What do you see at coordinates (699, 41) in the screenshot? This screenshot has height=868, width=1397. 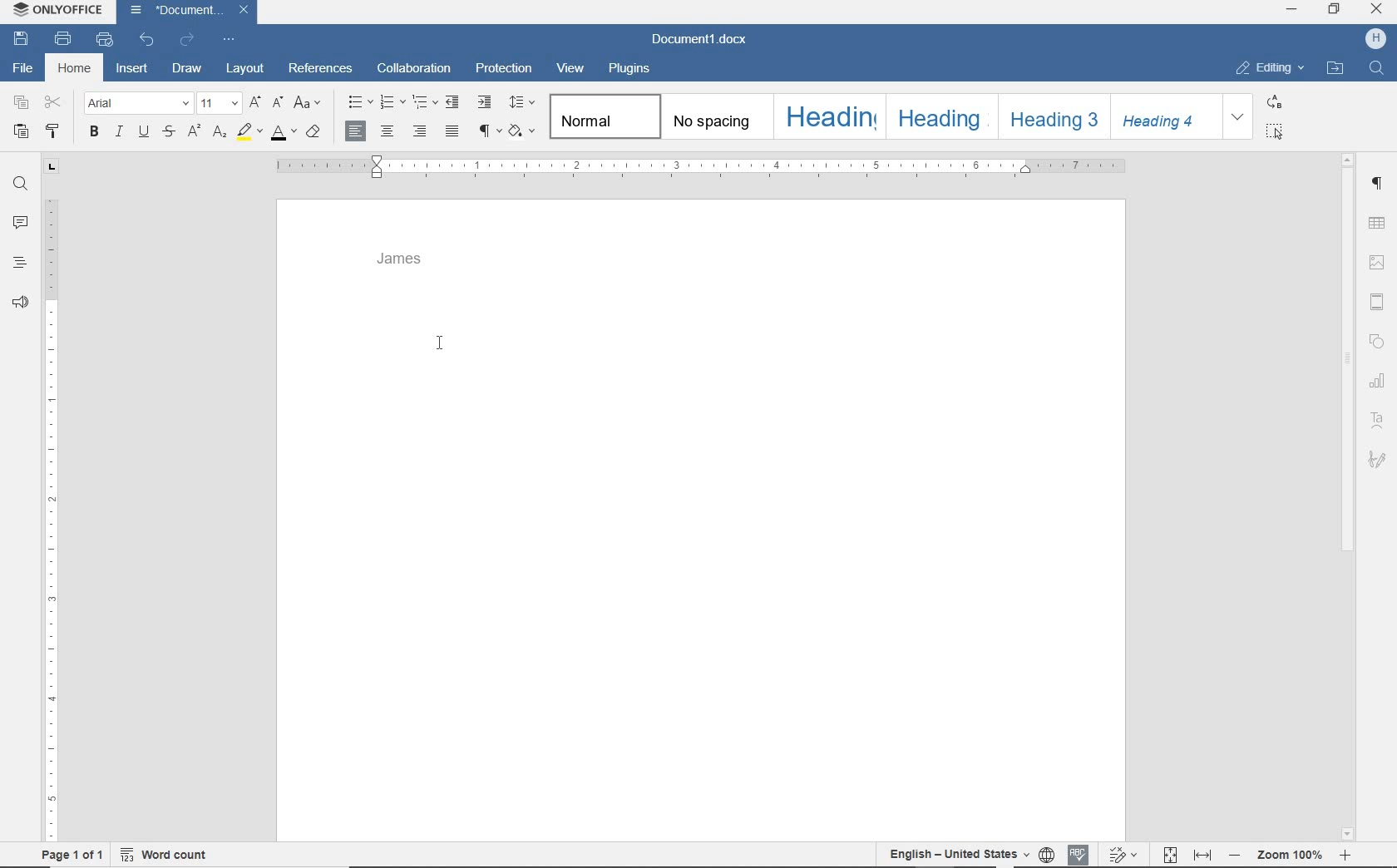 I see `DOCUMENT NAME` at bounding box center [699, 41].